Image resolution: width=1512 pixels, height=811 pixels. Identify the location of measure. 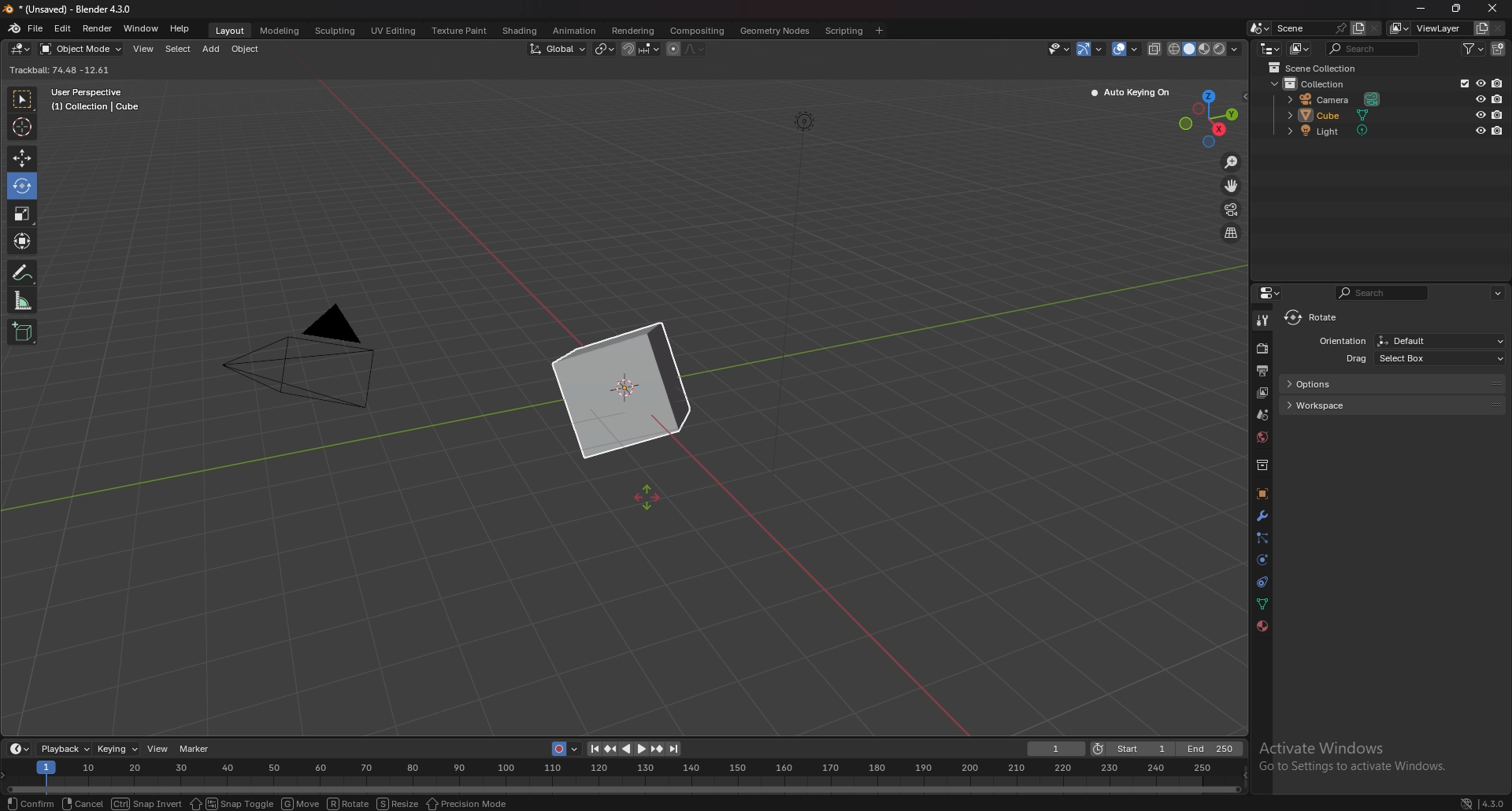
(23, 300).